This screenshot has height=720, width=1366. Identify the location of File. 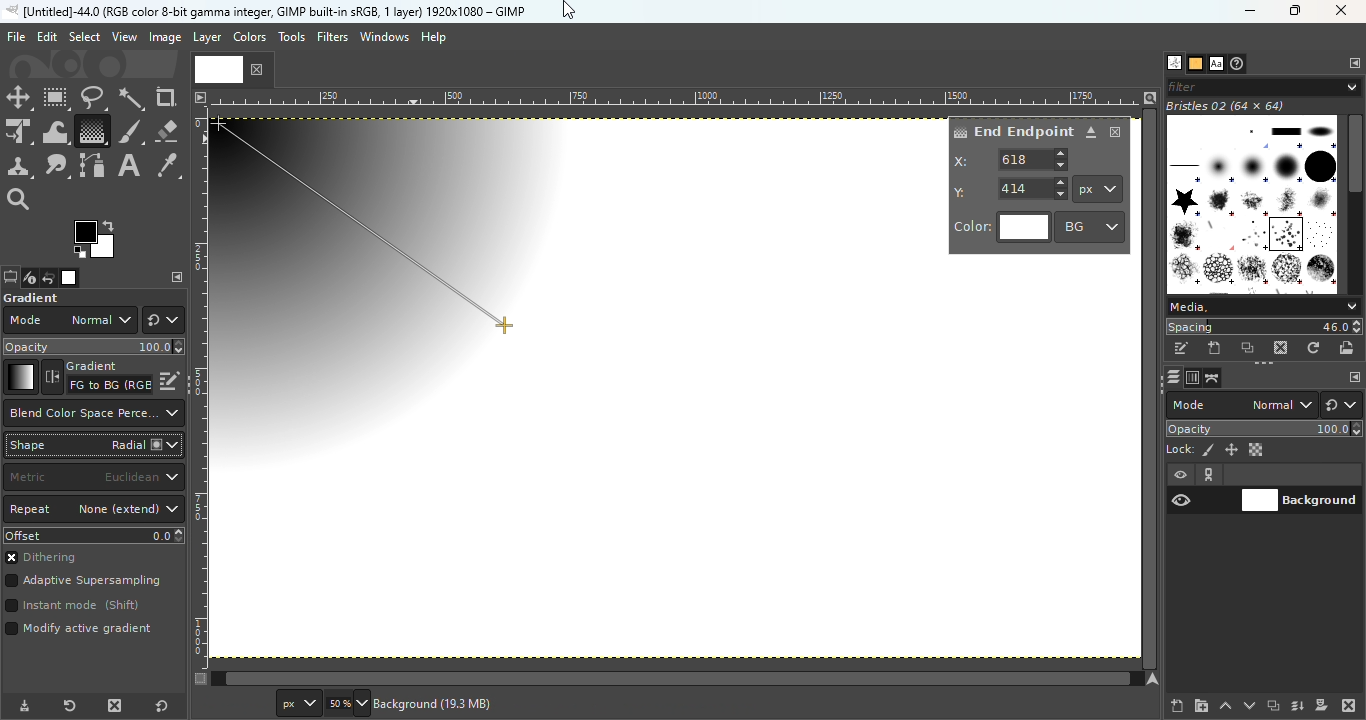
(16, 37).